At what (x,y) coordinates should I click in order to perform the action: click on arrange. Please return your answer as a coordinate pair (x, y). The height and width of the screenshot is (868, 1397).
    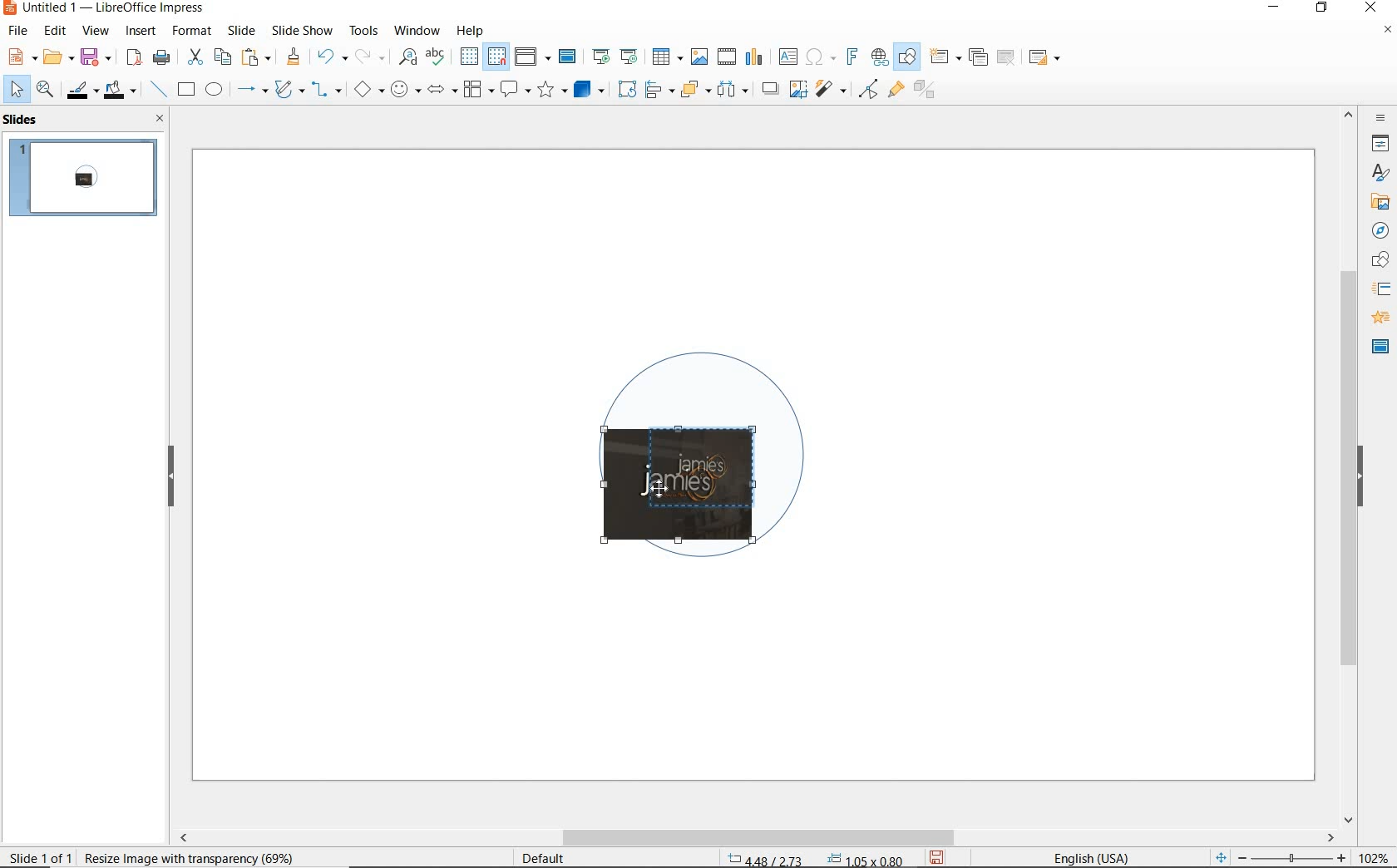
    Looking at the image, I should click on (692, 88).